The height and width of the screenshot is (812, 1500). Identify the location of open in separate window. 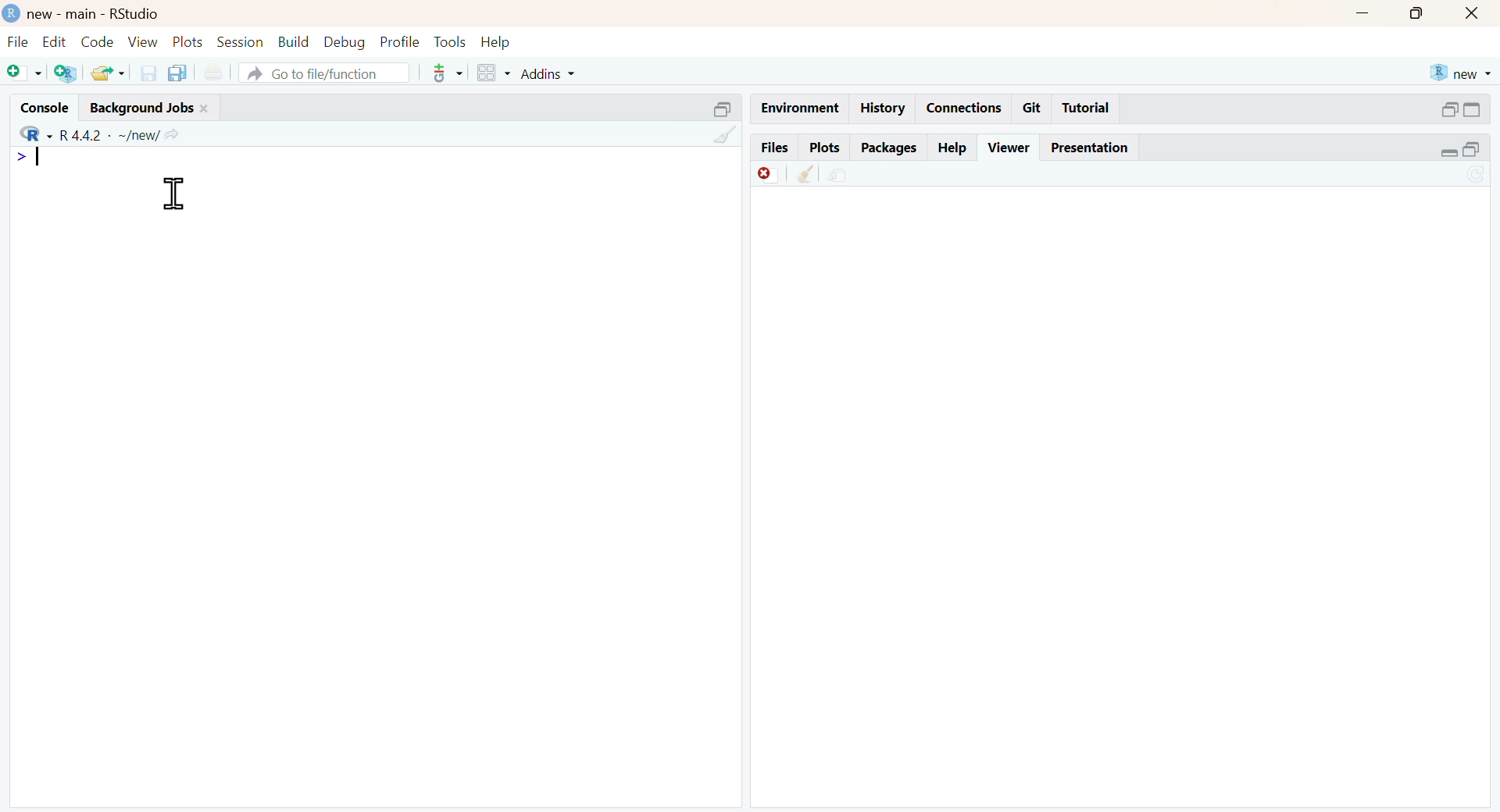
(724, 109).